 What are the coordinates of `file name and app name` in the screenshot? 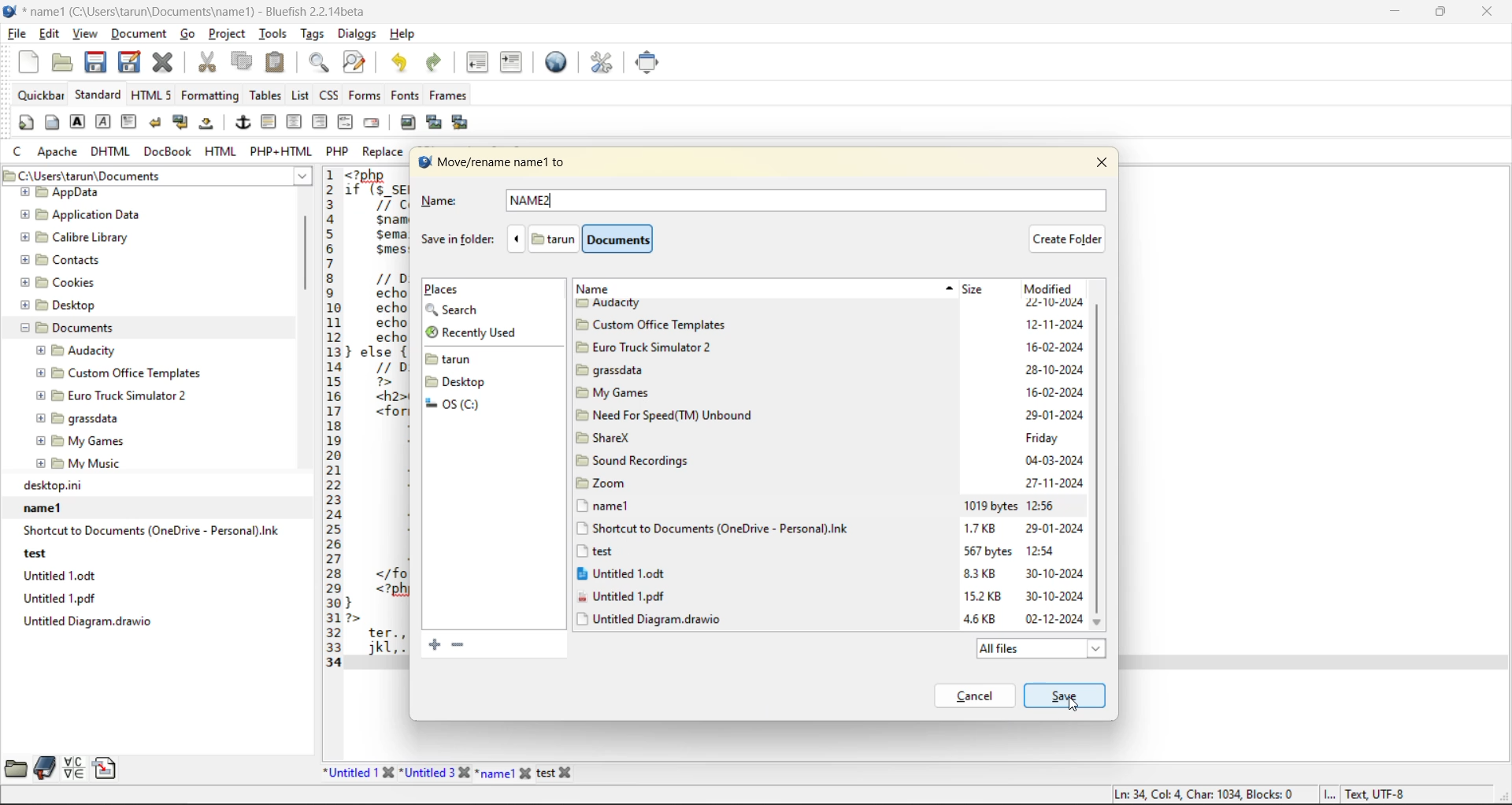 It's located at (195, 12).